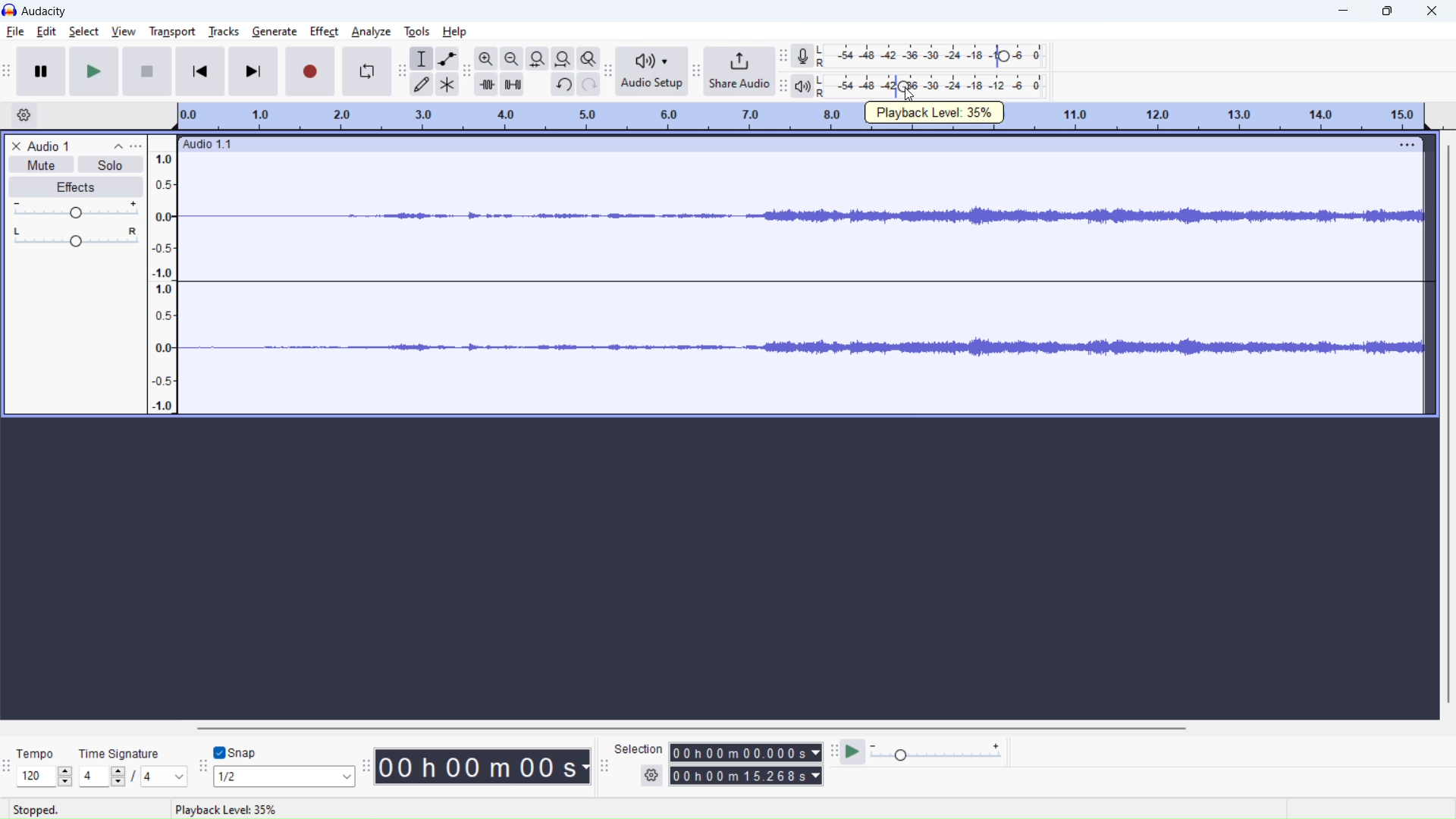 This screenshot has width=1456, height=819. What do you see at coordinates (133, 776) in the screenshot?
I see `time signature` at bounding box center [133, 776].